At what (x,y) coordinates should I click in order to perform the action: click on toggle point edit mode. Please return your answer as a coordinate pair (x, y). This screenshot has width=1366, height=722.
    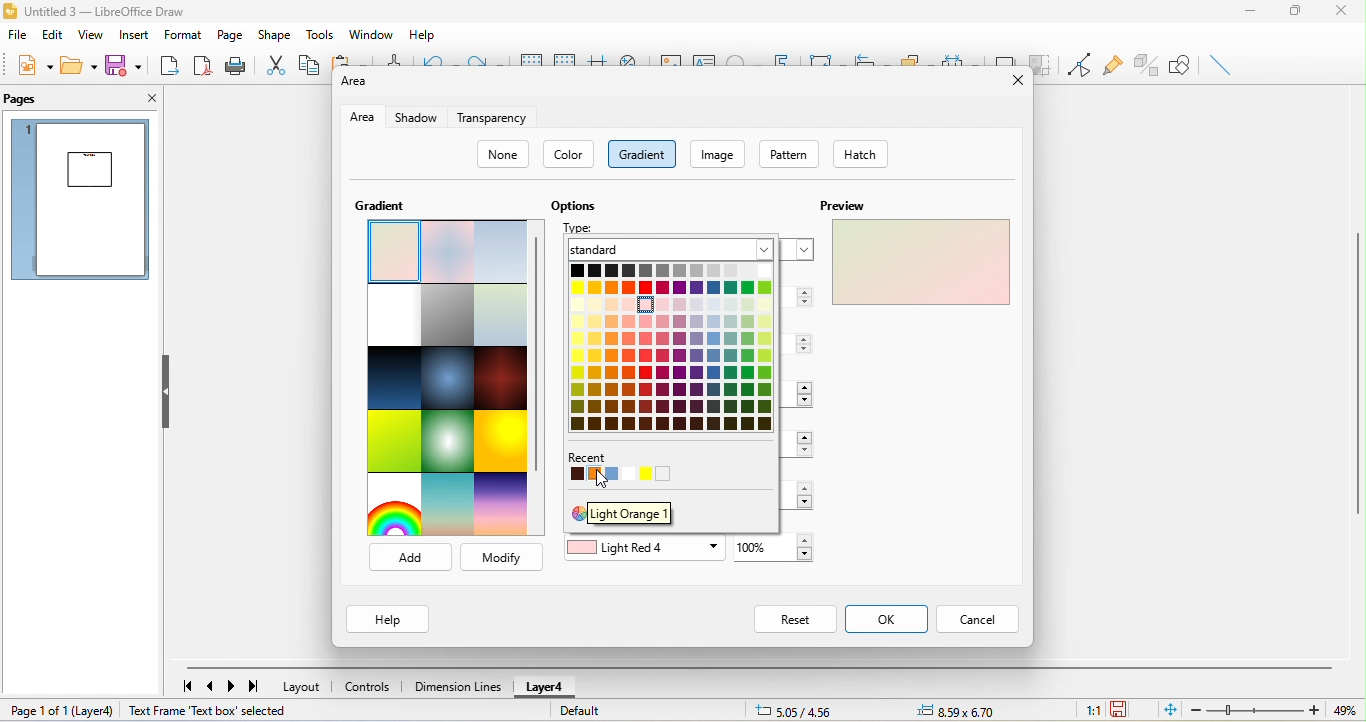
    Looking at the image, I should click on (1080, 65).